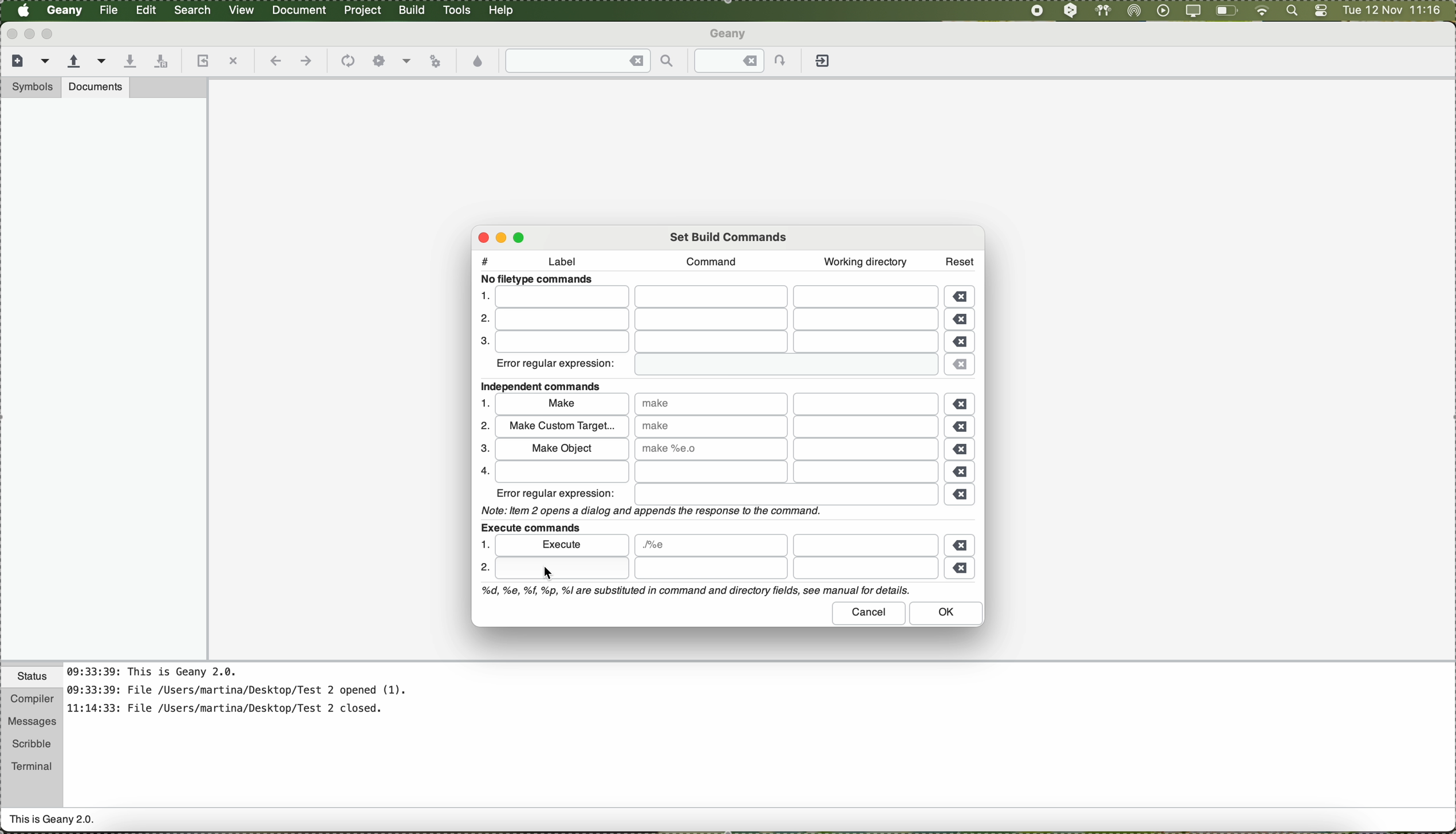 This screenshot has height=834, width=1456. What do you see at coordinates (590, 61) in the screenshot?
I see `find the entered text in the current file` at bounding box center [590, 61].